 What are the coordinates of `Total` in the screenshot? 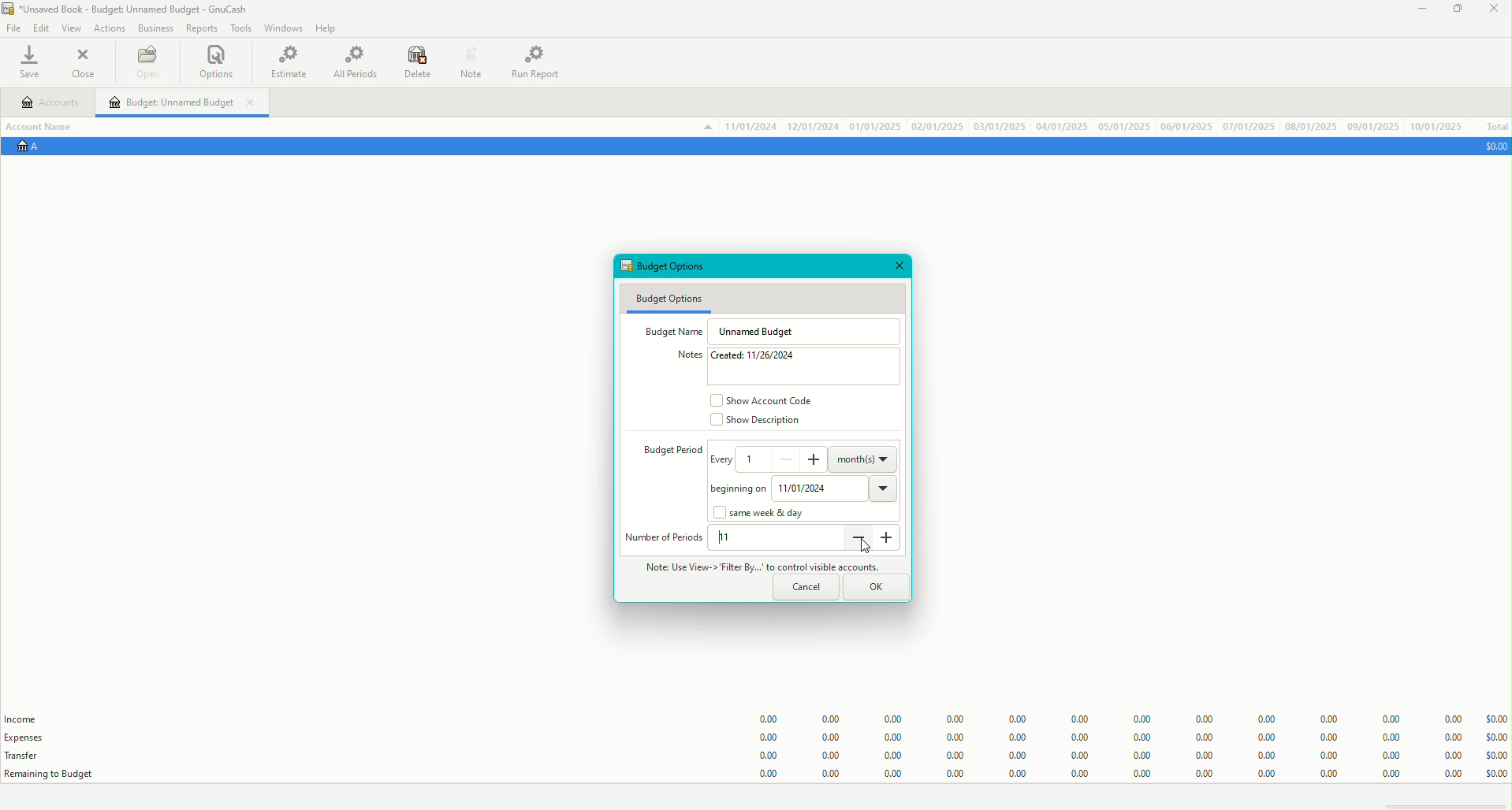 It's located at (1495, 127).